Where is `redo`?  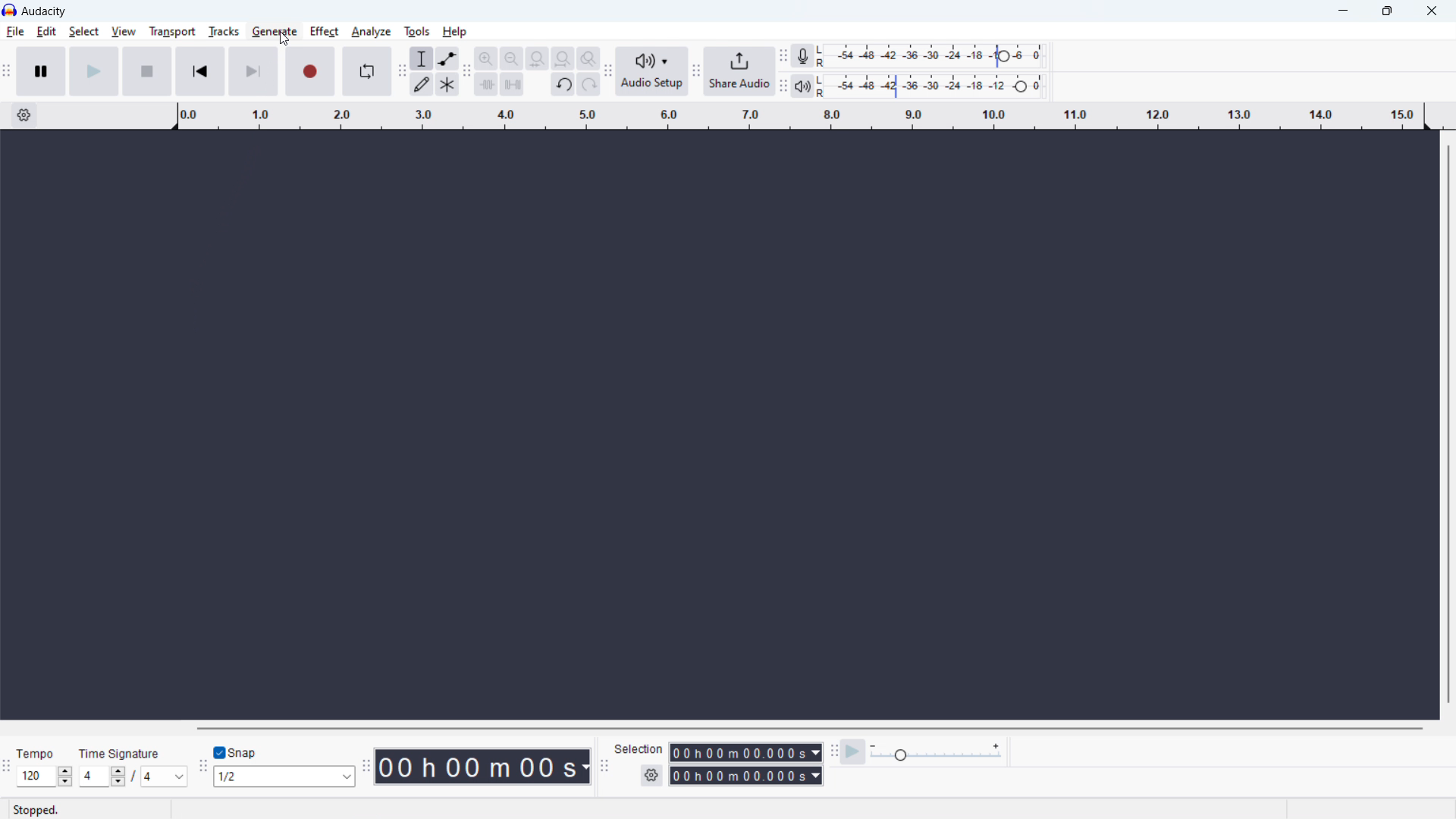 redo is located at coordinates (589, 84).